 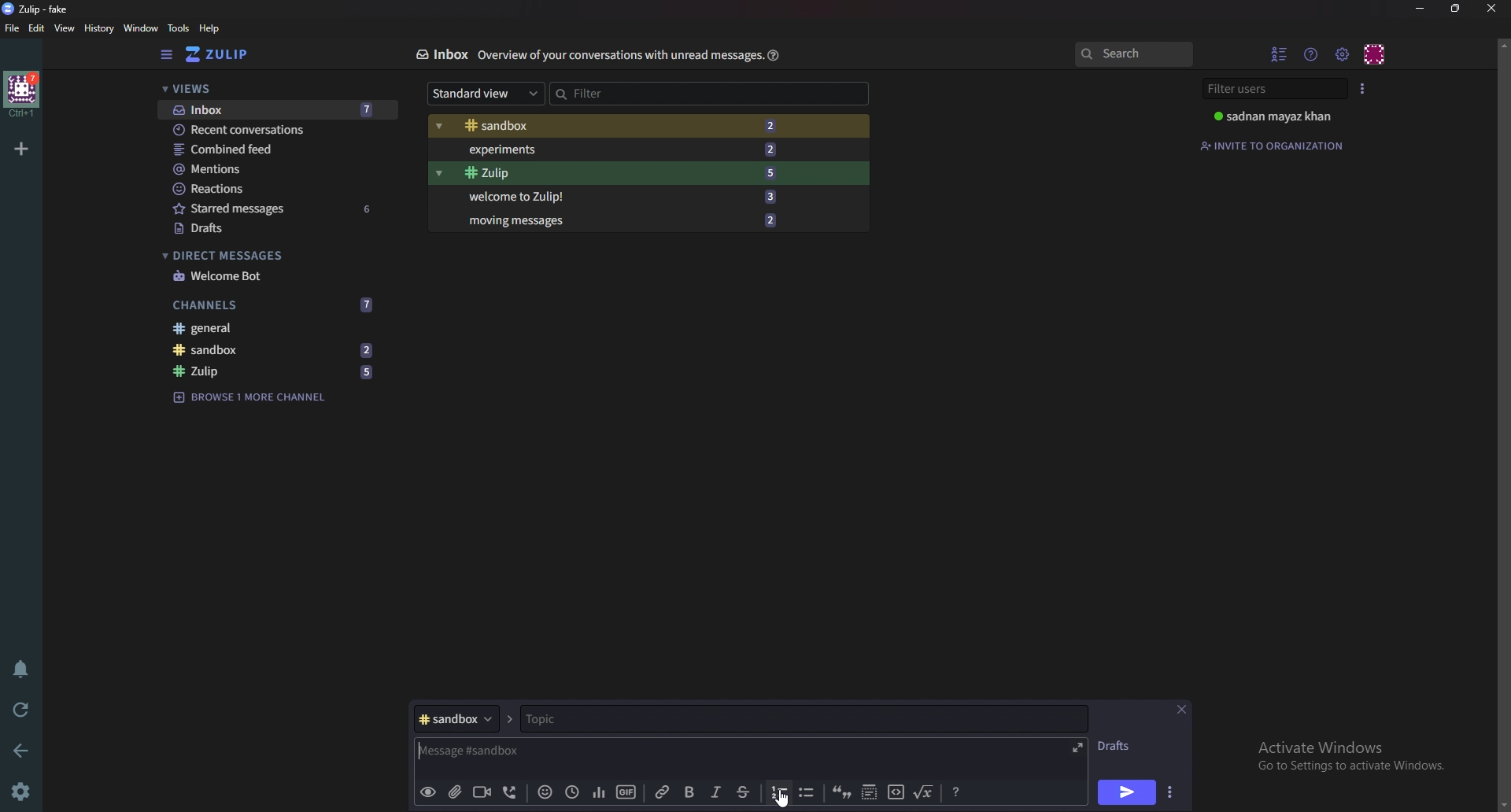 What do you see at coordinates (273, 187) in the screenshot?
I see `Reactions` at bounding box center [273, 187].